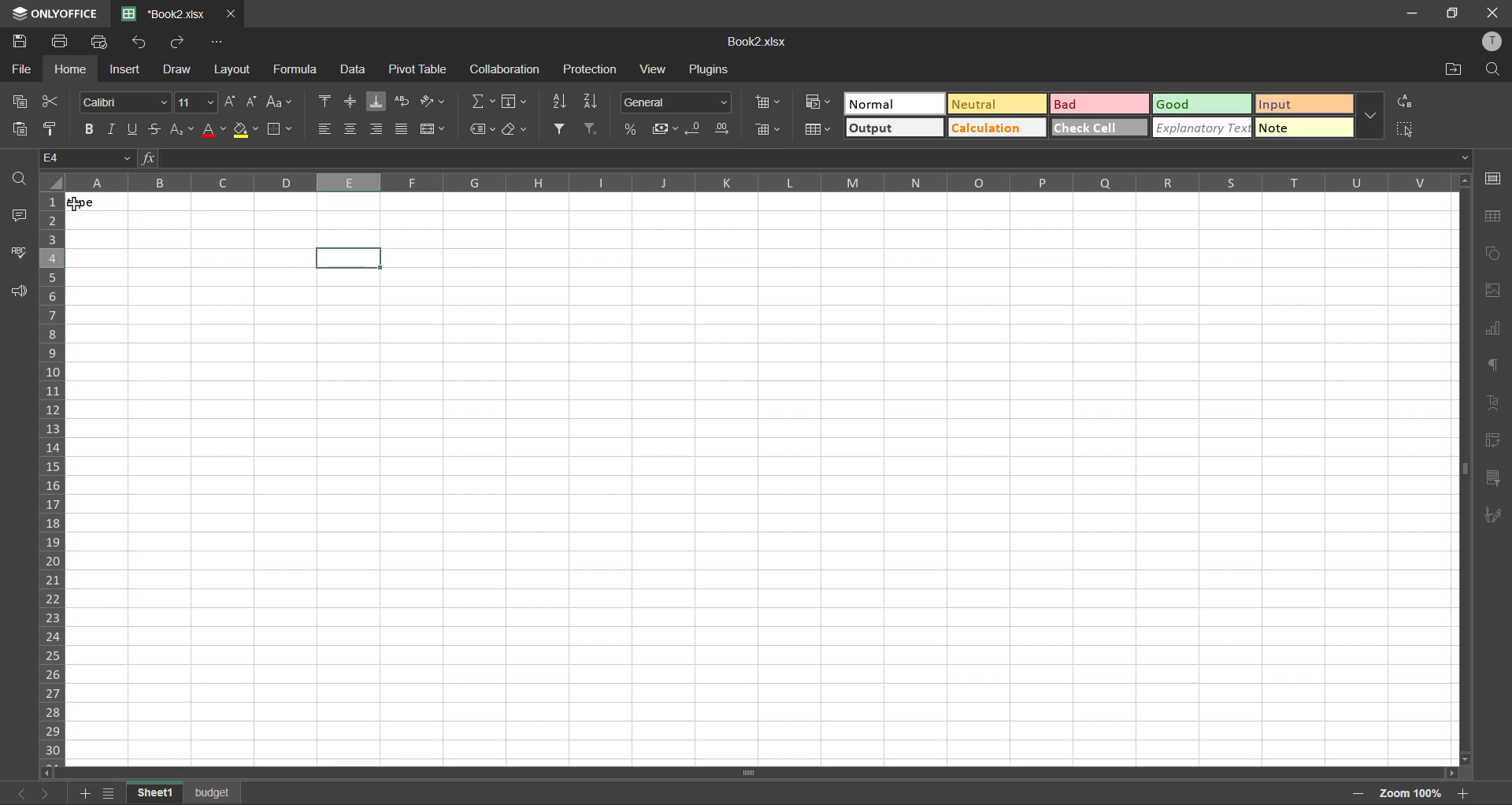 The height and width of the screenshot is (805, 1512). I want to click on align bottom, so click(375, 101).